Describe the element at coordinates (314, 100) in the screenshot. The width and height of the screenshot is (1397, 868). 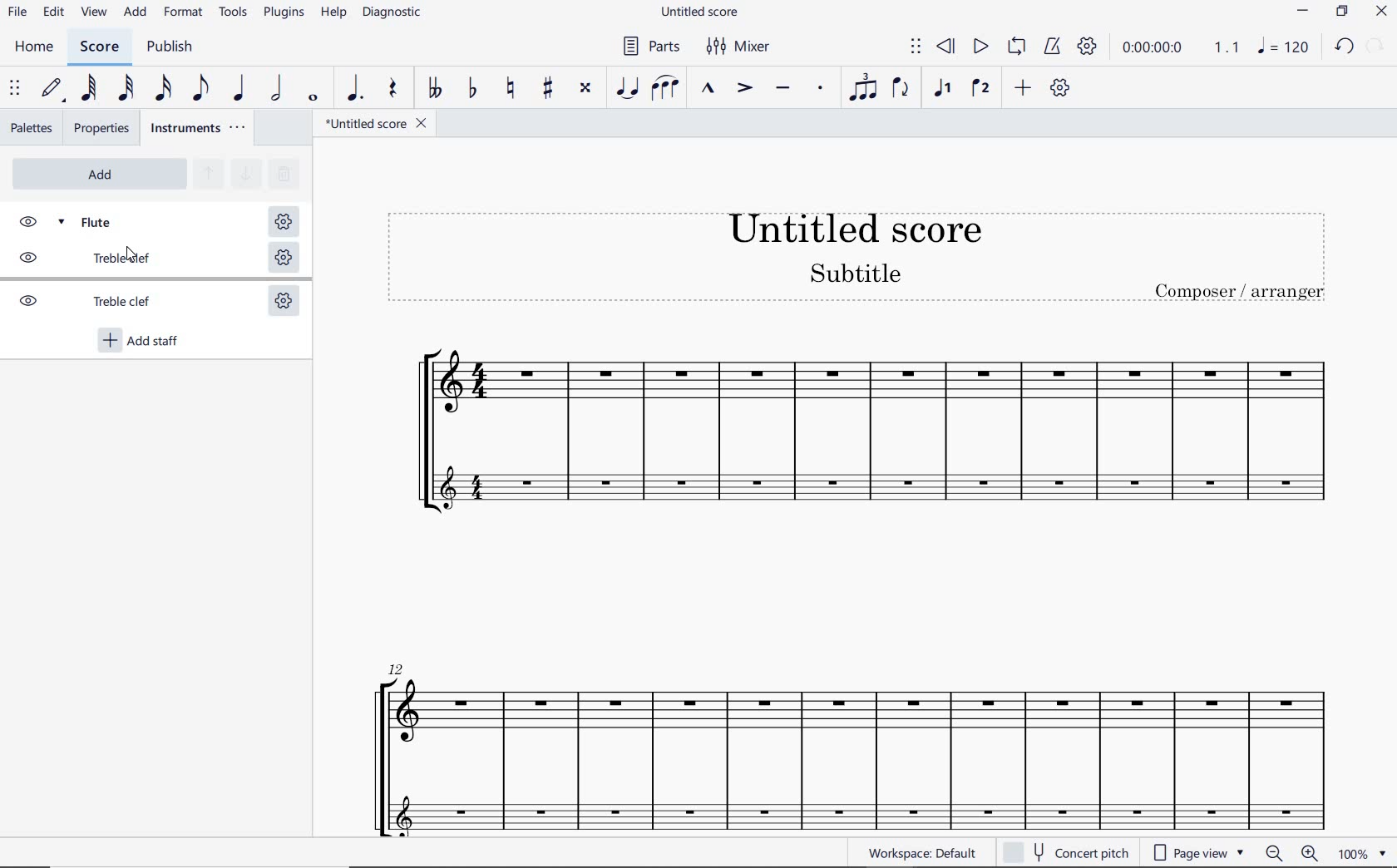
I see `WHOLE NOTE` at that location.